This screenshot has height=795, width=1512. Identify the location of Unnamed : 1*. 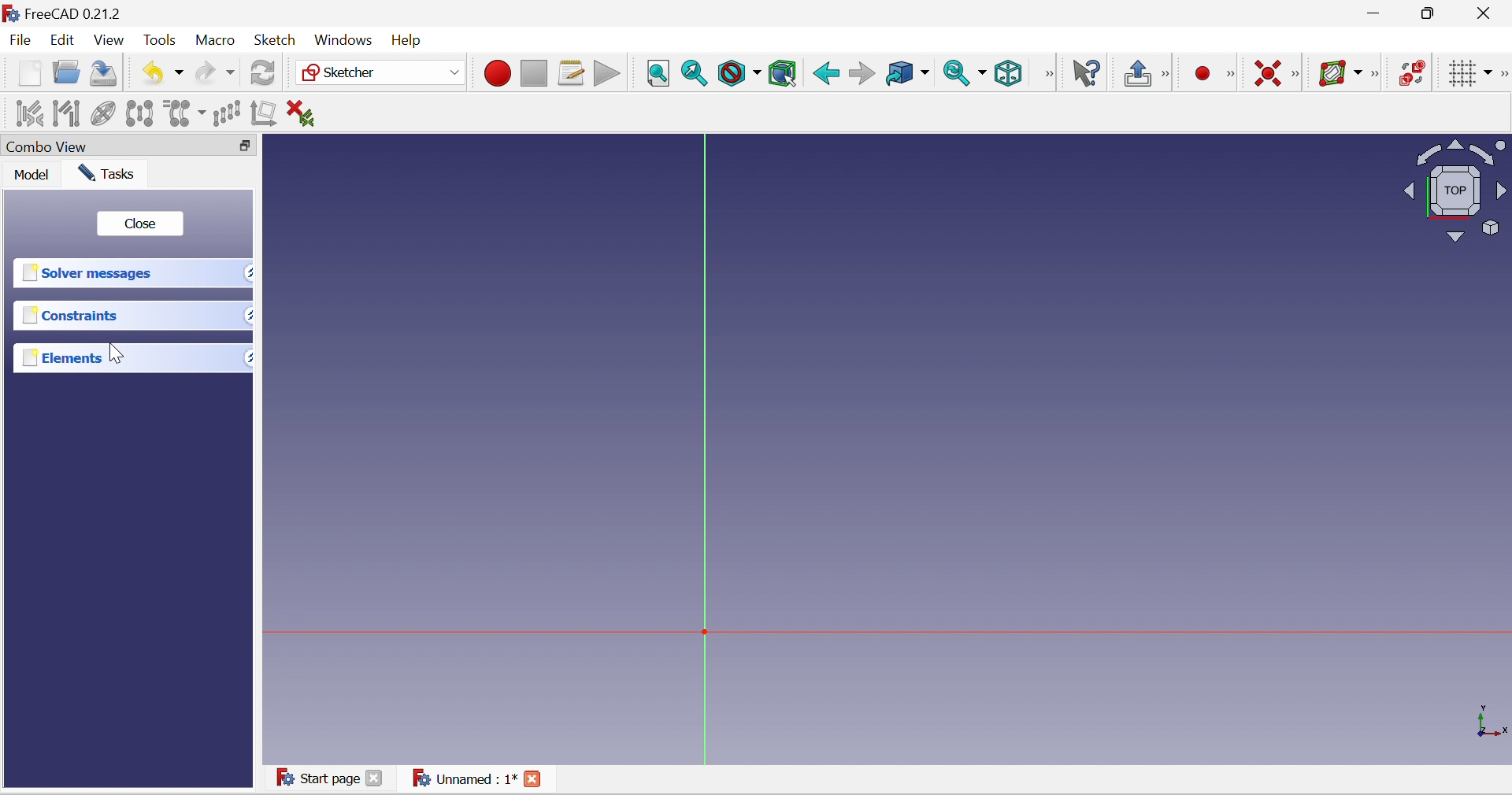
(477, 778).